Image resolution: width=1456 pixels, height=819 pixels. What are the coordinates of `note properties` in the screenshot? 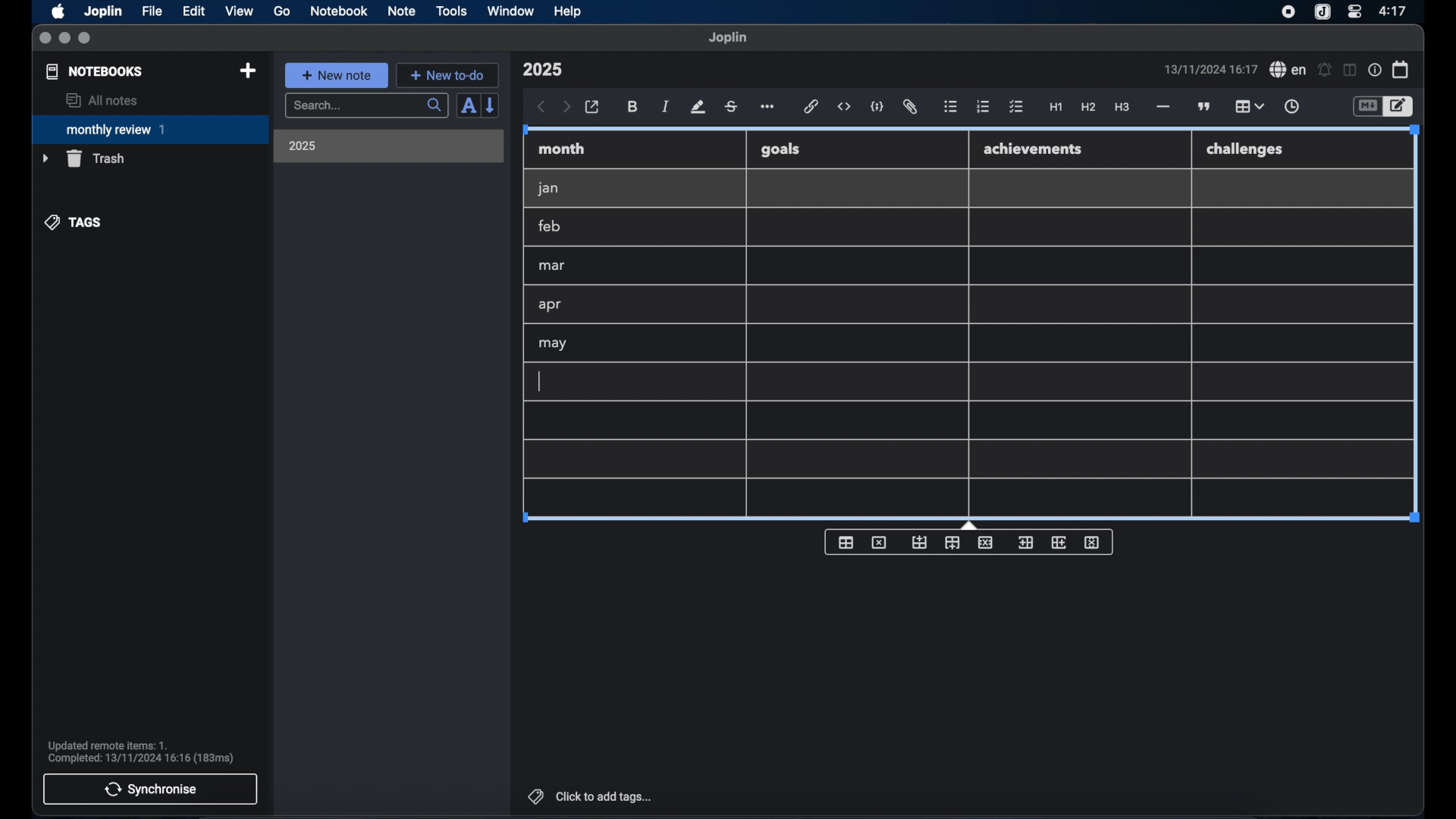 It's located at (1375, 71).